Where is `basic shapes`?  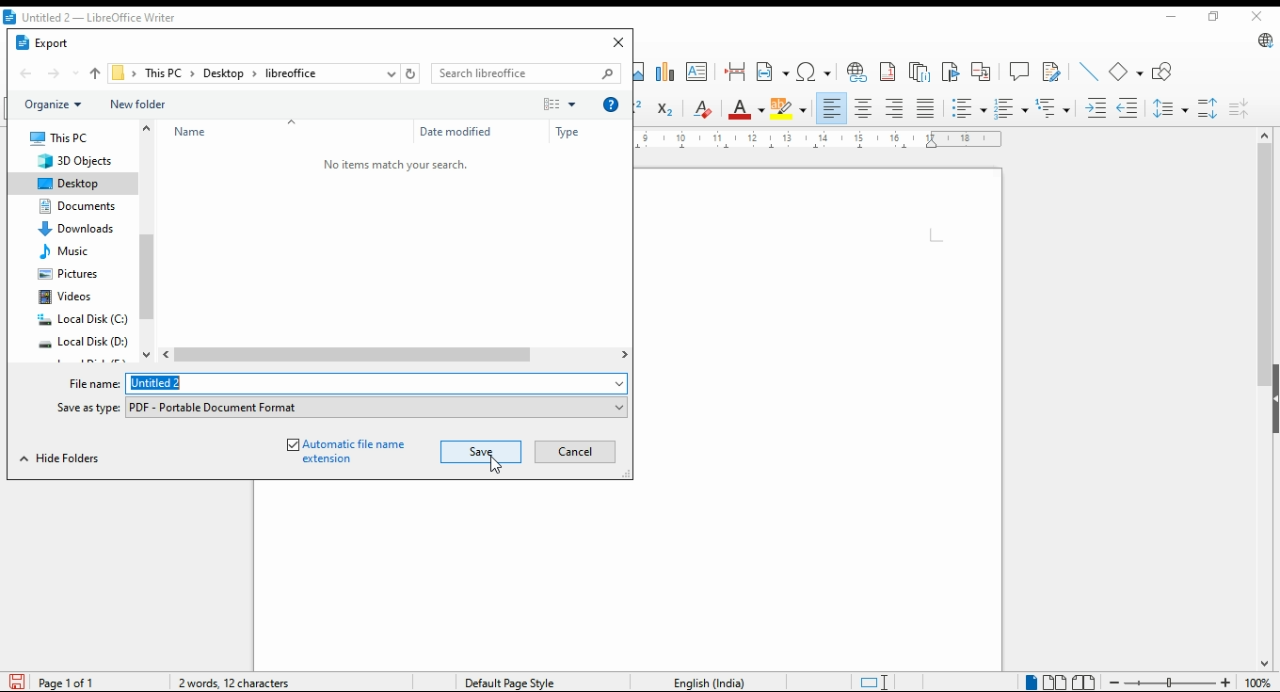 basic shapes is located at coordinates (1126, 69).